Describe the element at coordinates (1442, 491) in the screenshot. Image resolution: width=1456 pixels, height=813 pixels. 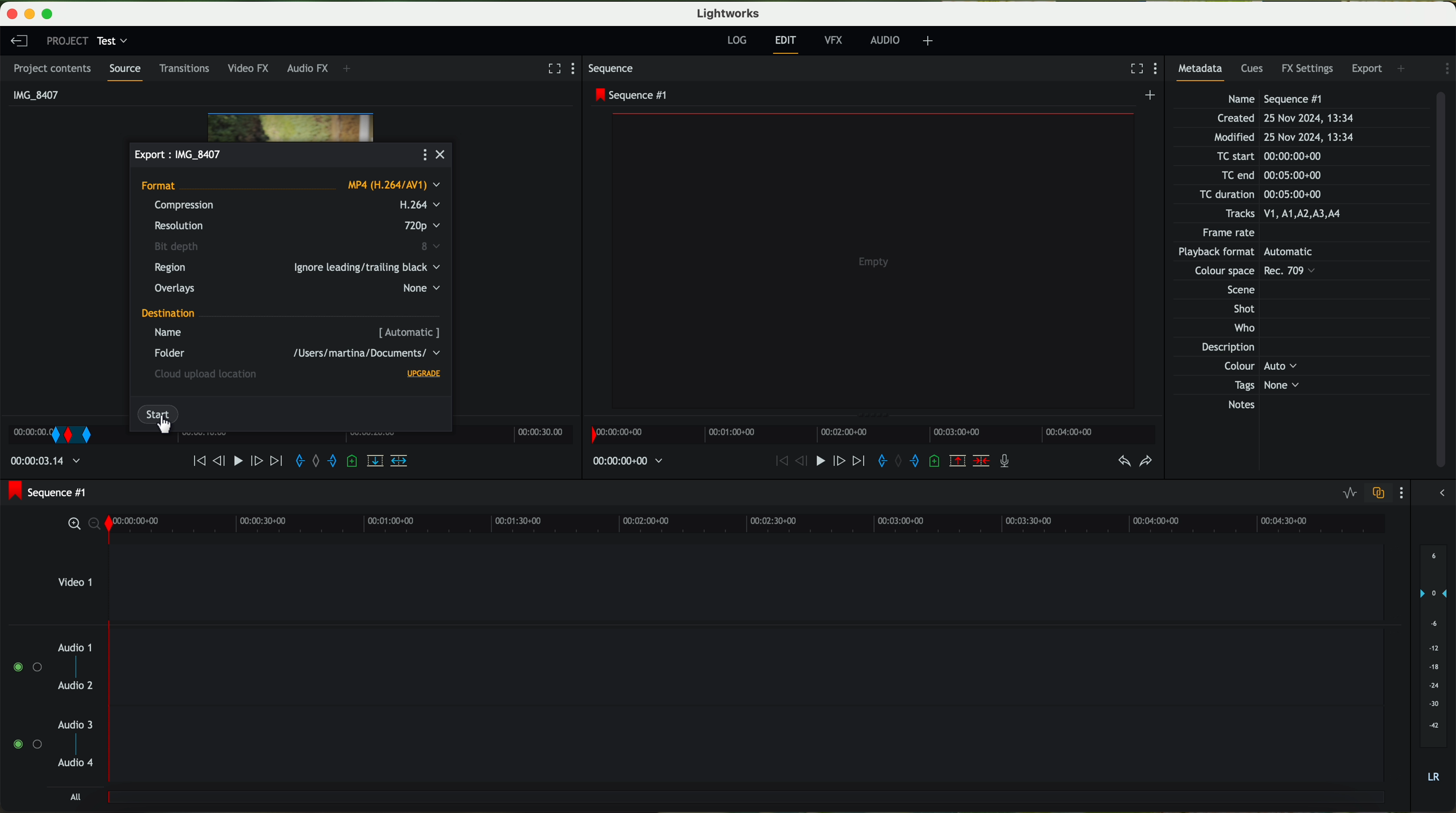
I see `show/hide the full audio mix menu` at that location.